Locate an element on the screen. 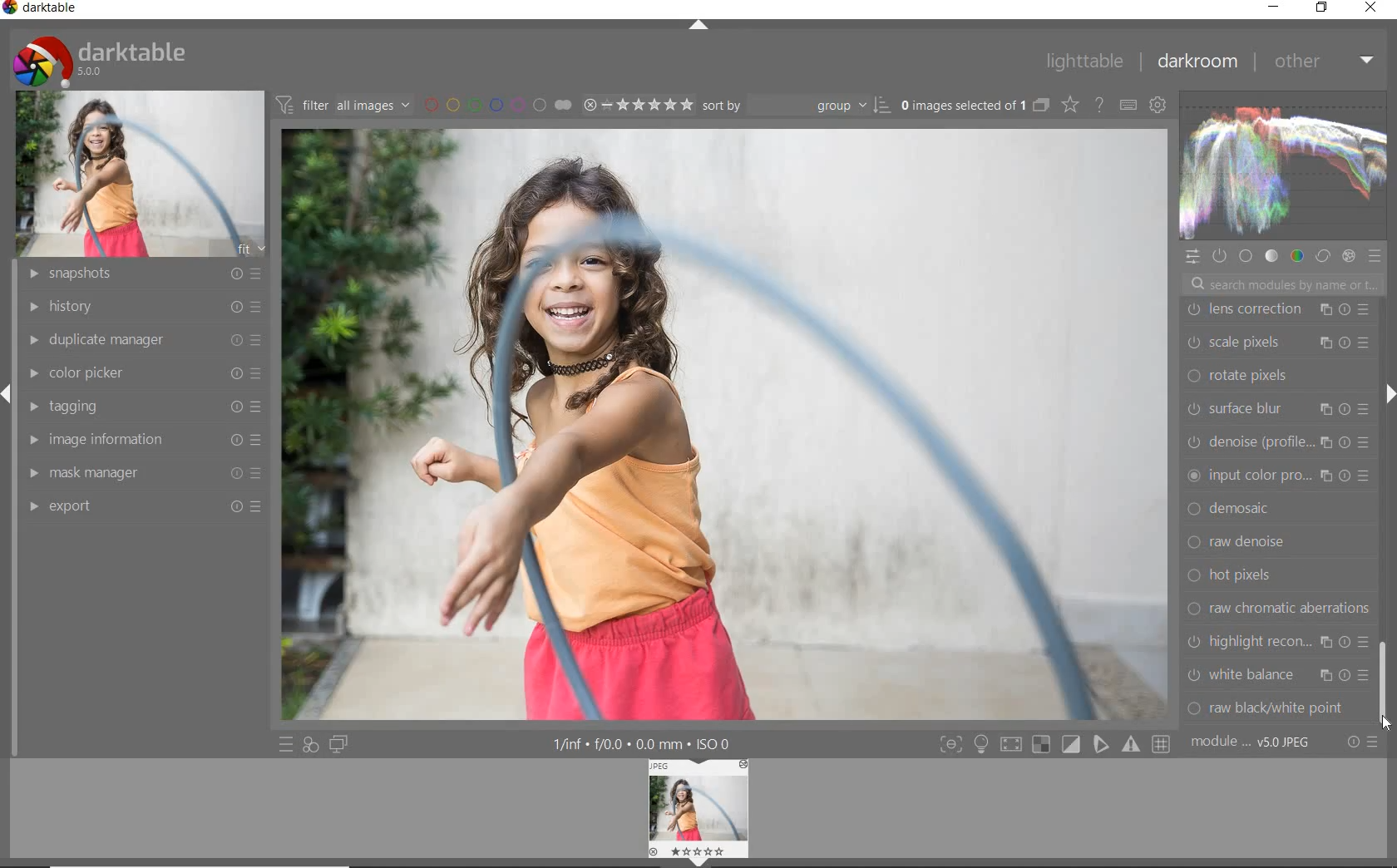 Image resolution: width=1397 pixels, height=868 pixels. toggle mode  is located at coordinates (1102, 747).